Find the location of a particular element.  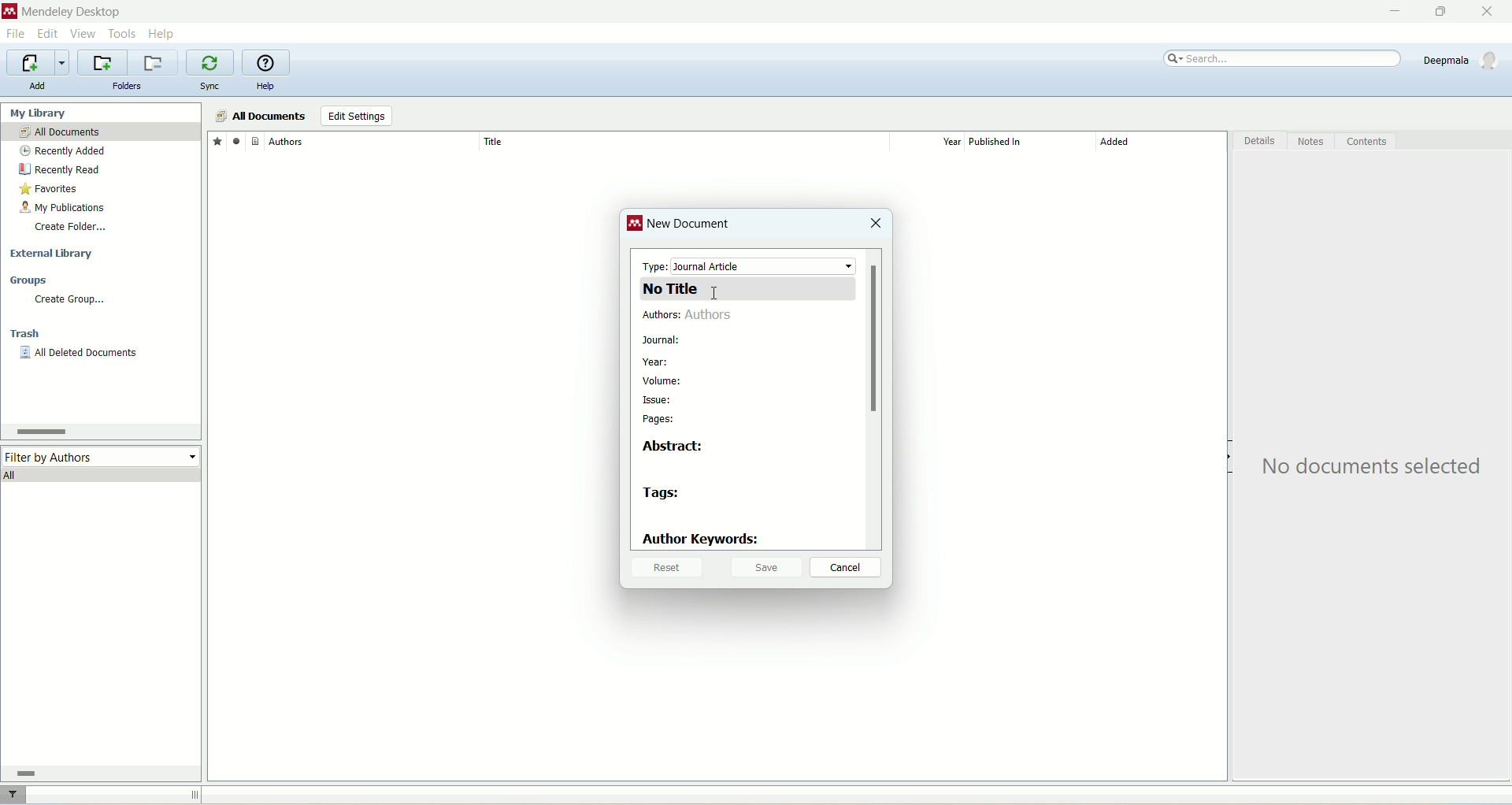

content is located at coordinates (1366, 142).